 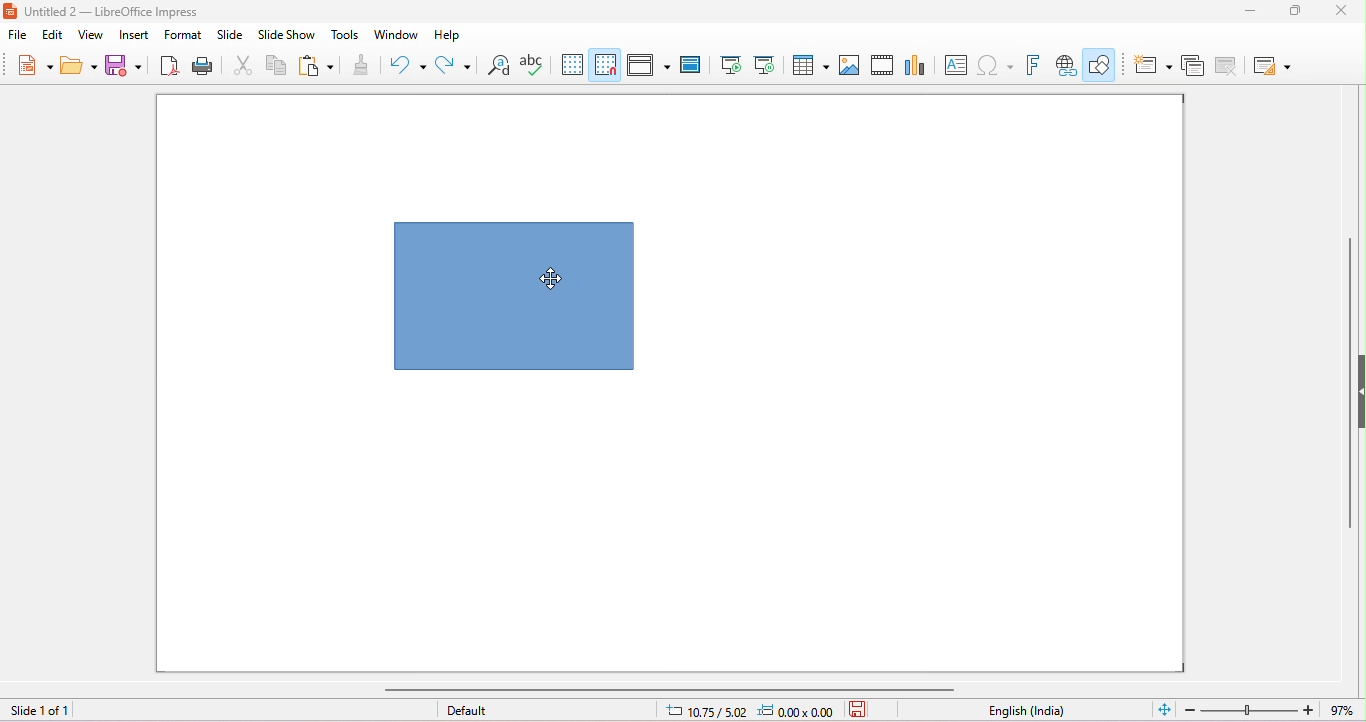 I want to click on insert audio/video, so click(x=882, y=65).